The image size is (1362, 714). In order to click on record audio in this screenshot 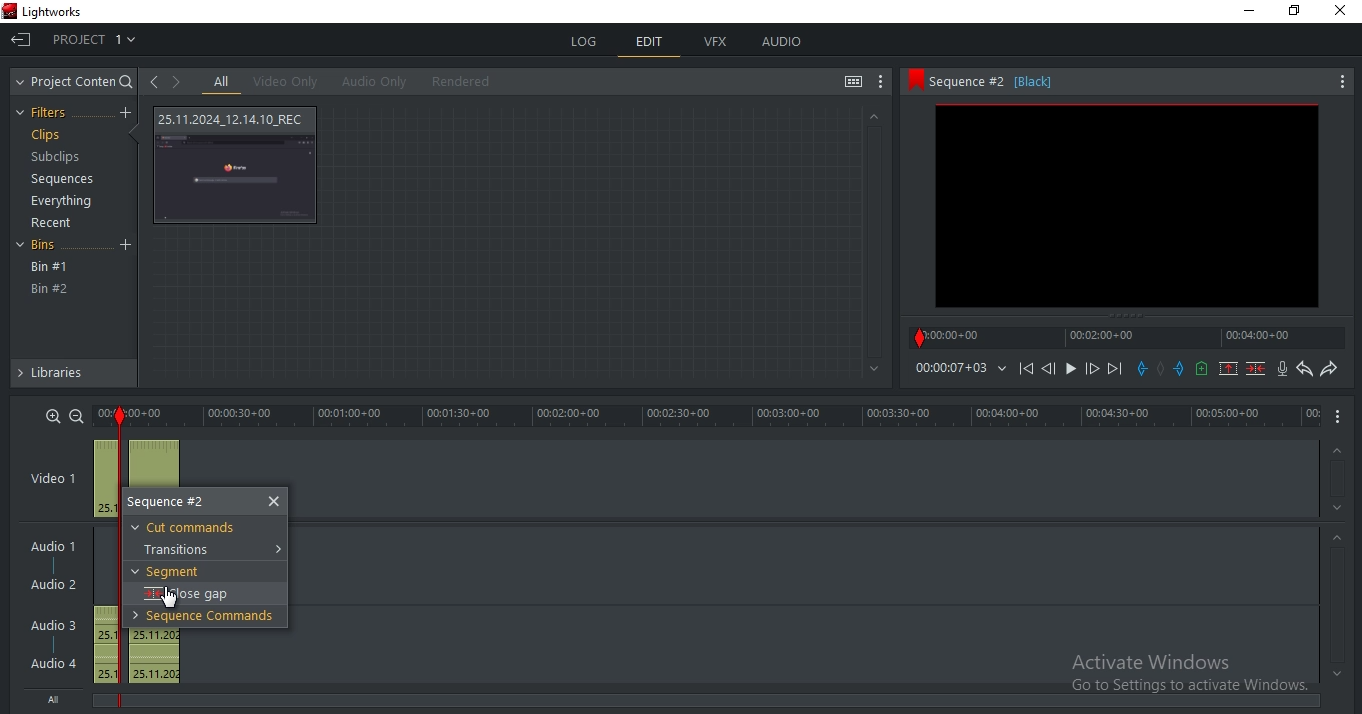, I will do `click(1282, 369)`.